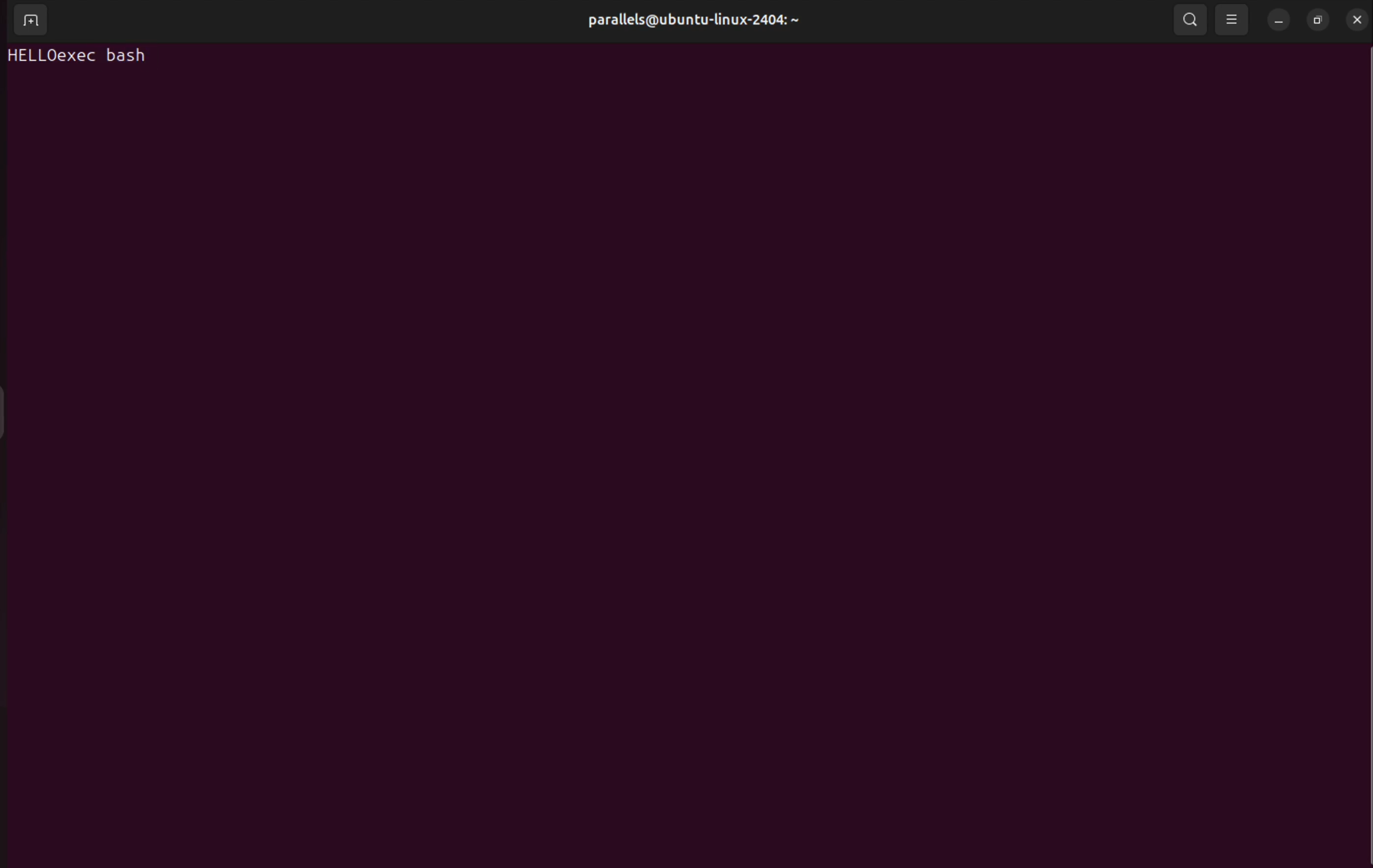 The width and height of the screenshot is (1373, 868). Describe the element at coordinates (1356, 18) in the screenshot. I see `close` at that location.